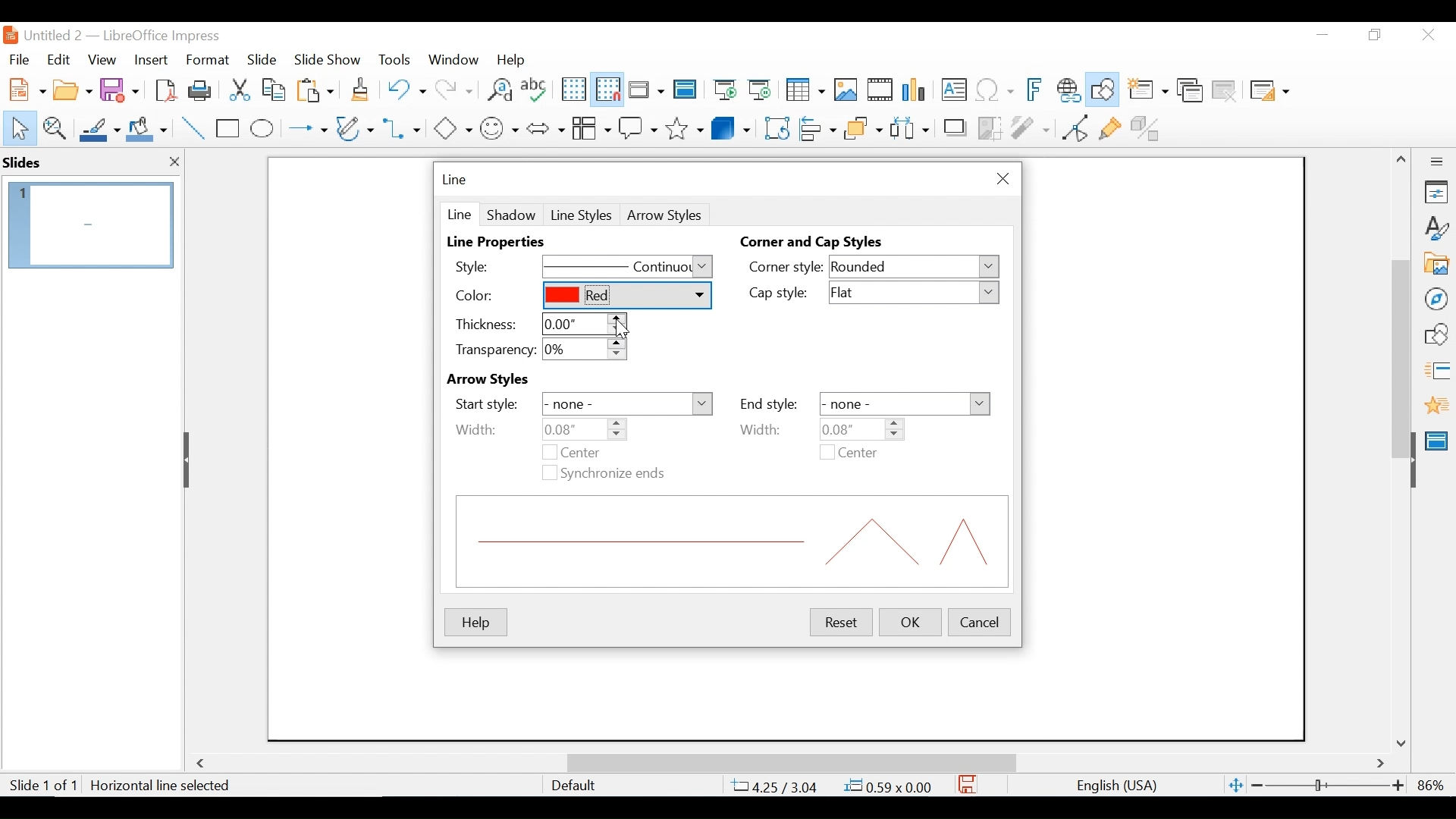  What do you see at coordinates (19, 58) in the screenshot?
I see `File` at bounding box center [19, 58].